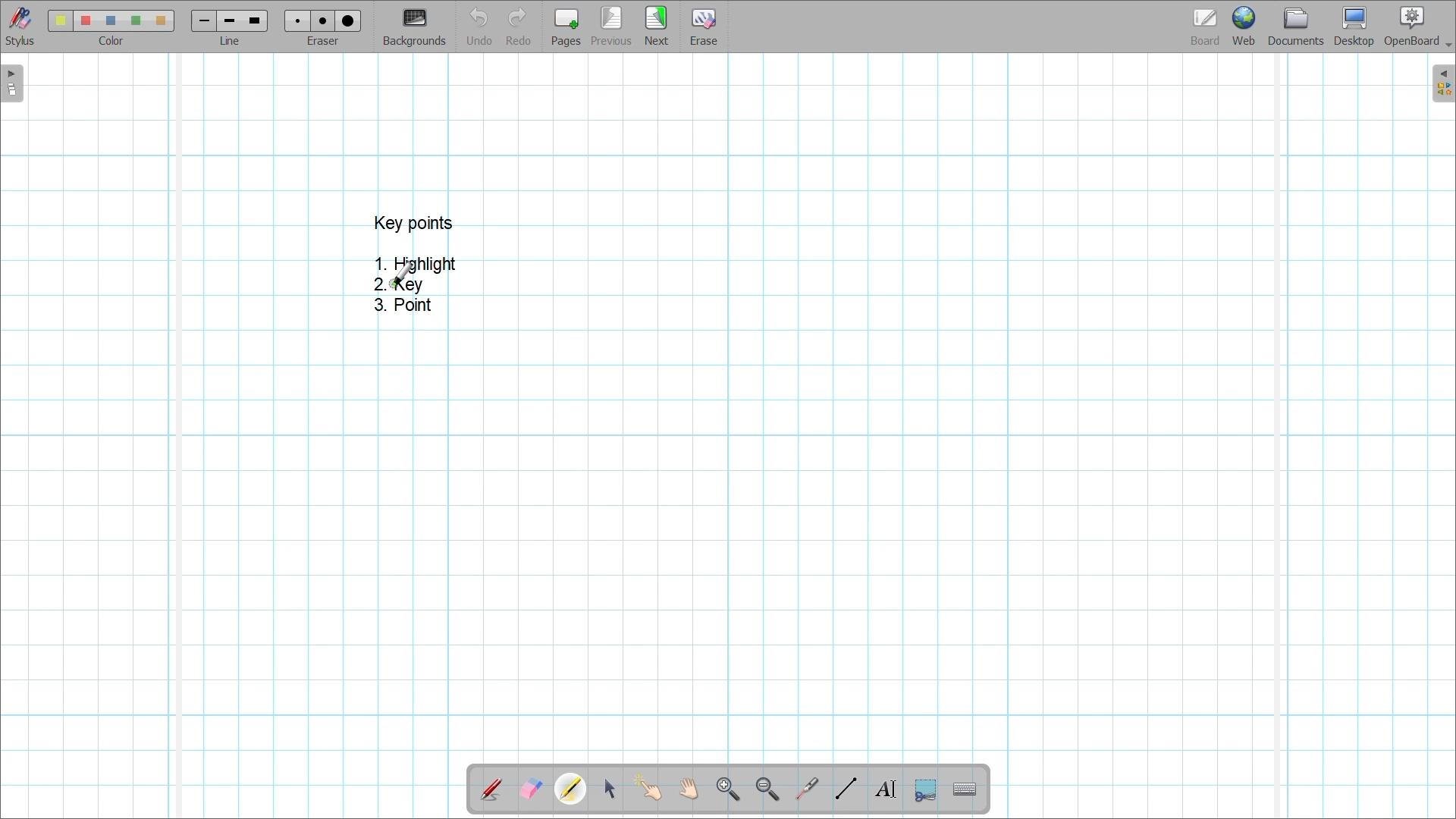 The image size is (1456, 819). What do you see at coordinates (806, 789) in the screenshot?
I see `Use virtual laser` at bounding box center [806, 789].